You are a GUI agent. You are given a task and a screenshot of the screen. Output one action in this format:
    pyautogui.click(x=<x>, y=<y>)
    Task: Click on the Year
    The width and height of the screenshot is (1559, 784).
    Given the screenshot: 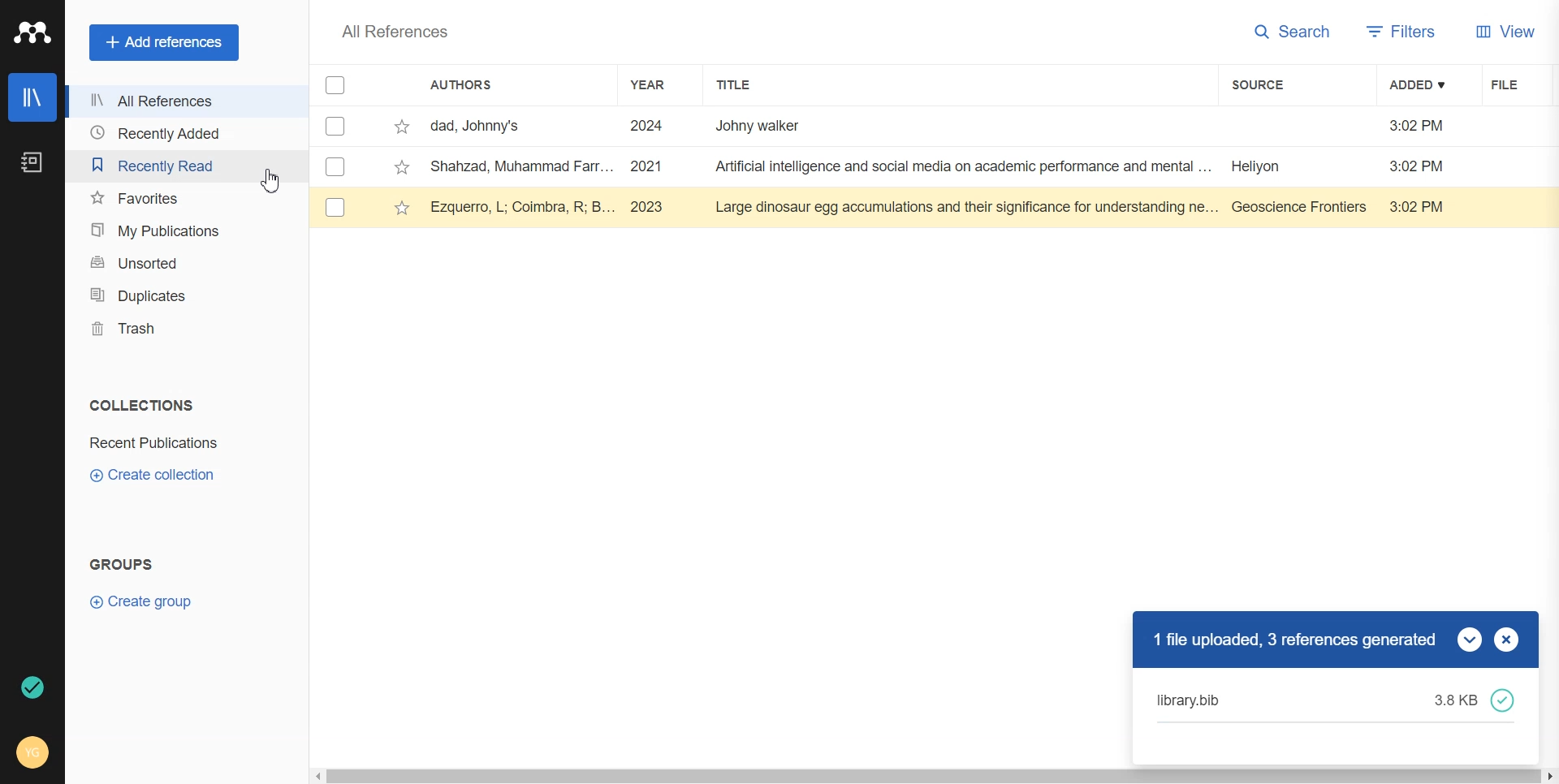 What is the action you would take?
    pyautogui.click(x=652, y=85)
    